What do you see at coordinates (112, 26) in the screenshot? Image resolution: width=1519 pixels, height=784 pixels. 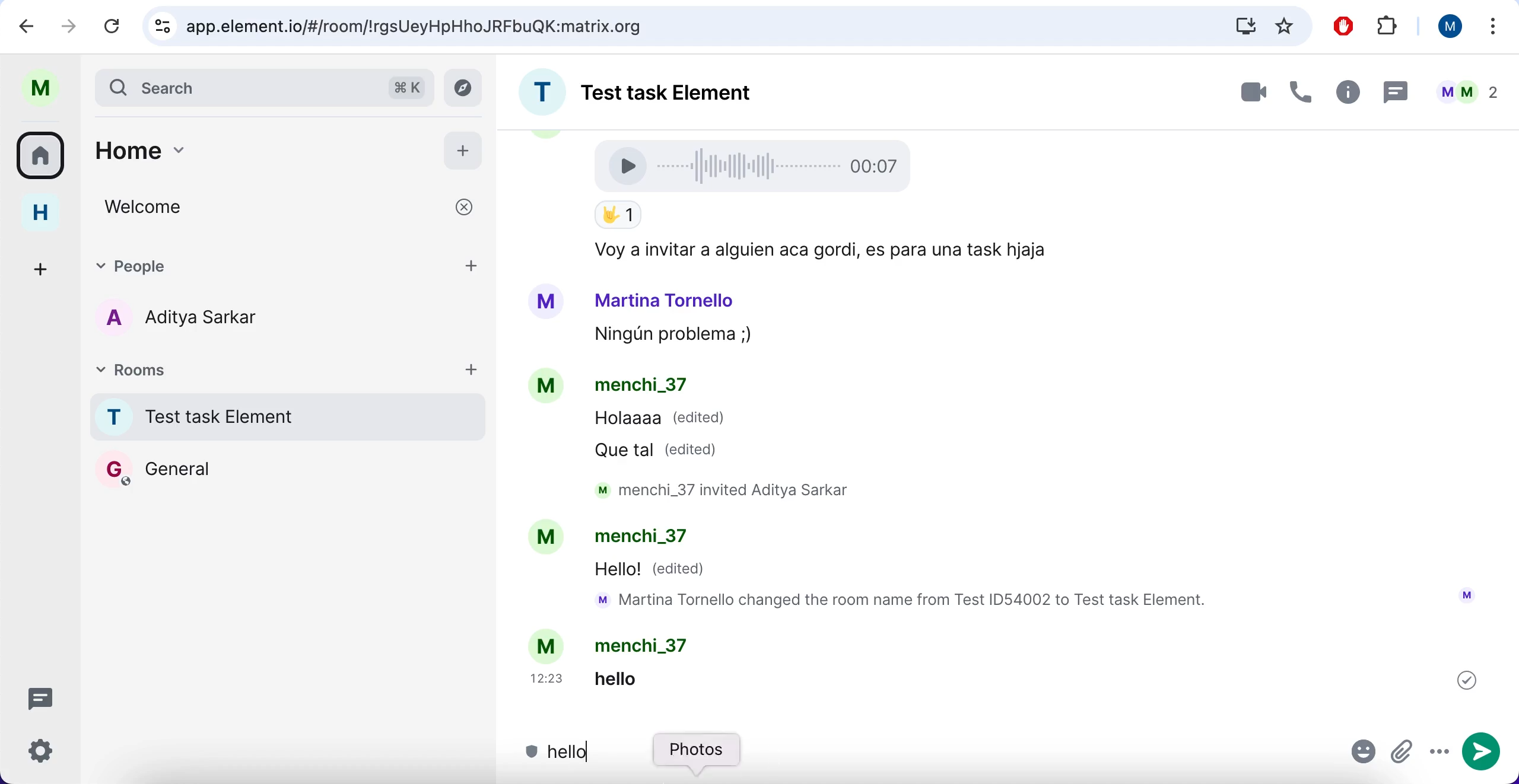 I see `reload current page` at bounding box center [112, 26].